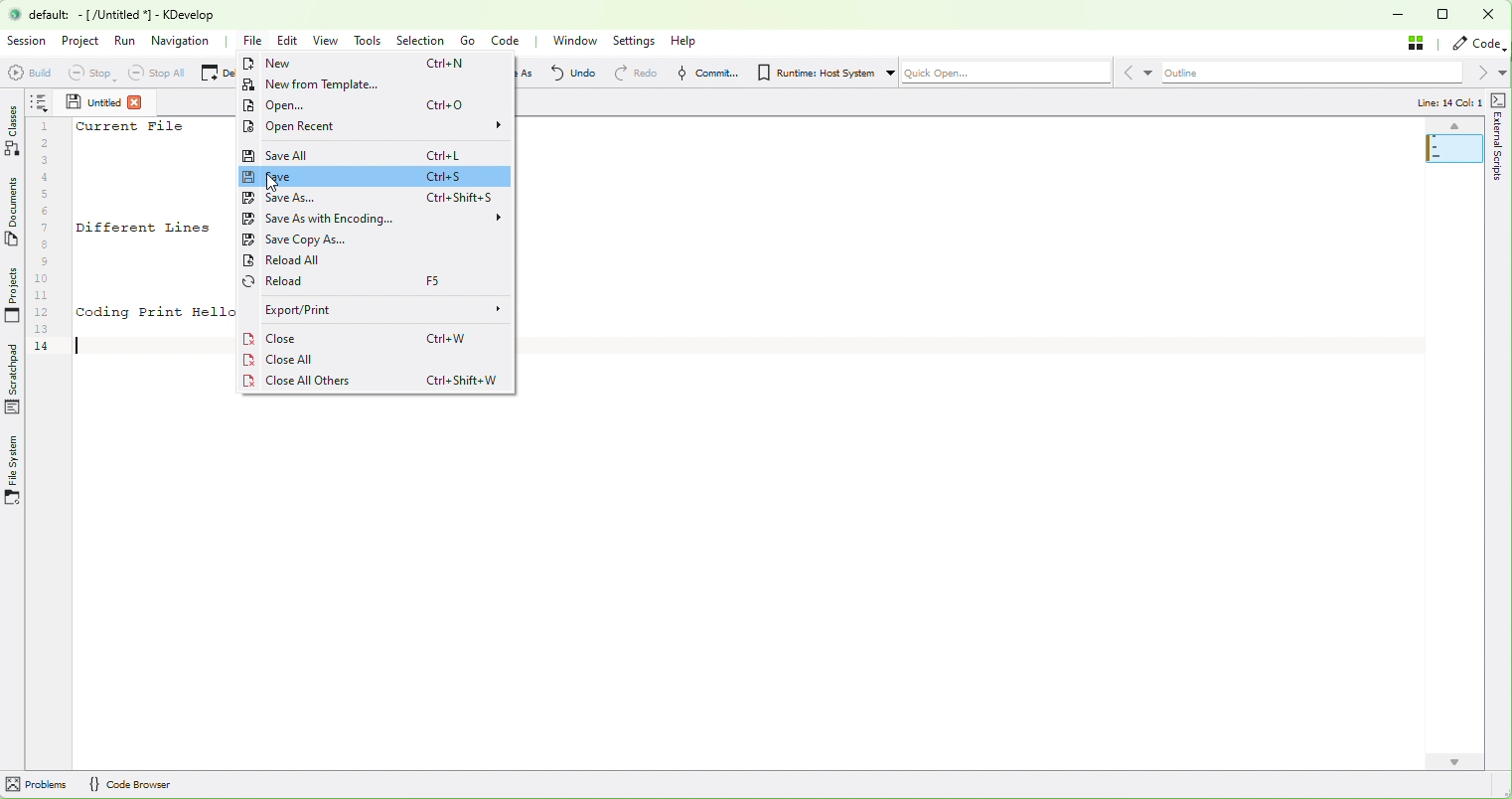 This screenshot has height=799, width=1512. Describe the element at coordinates (465, 381) in the screenshot. I see `Ctrl+ Shifts W` at that location.